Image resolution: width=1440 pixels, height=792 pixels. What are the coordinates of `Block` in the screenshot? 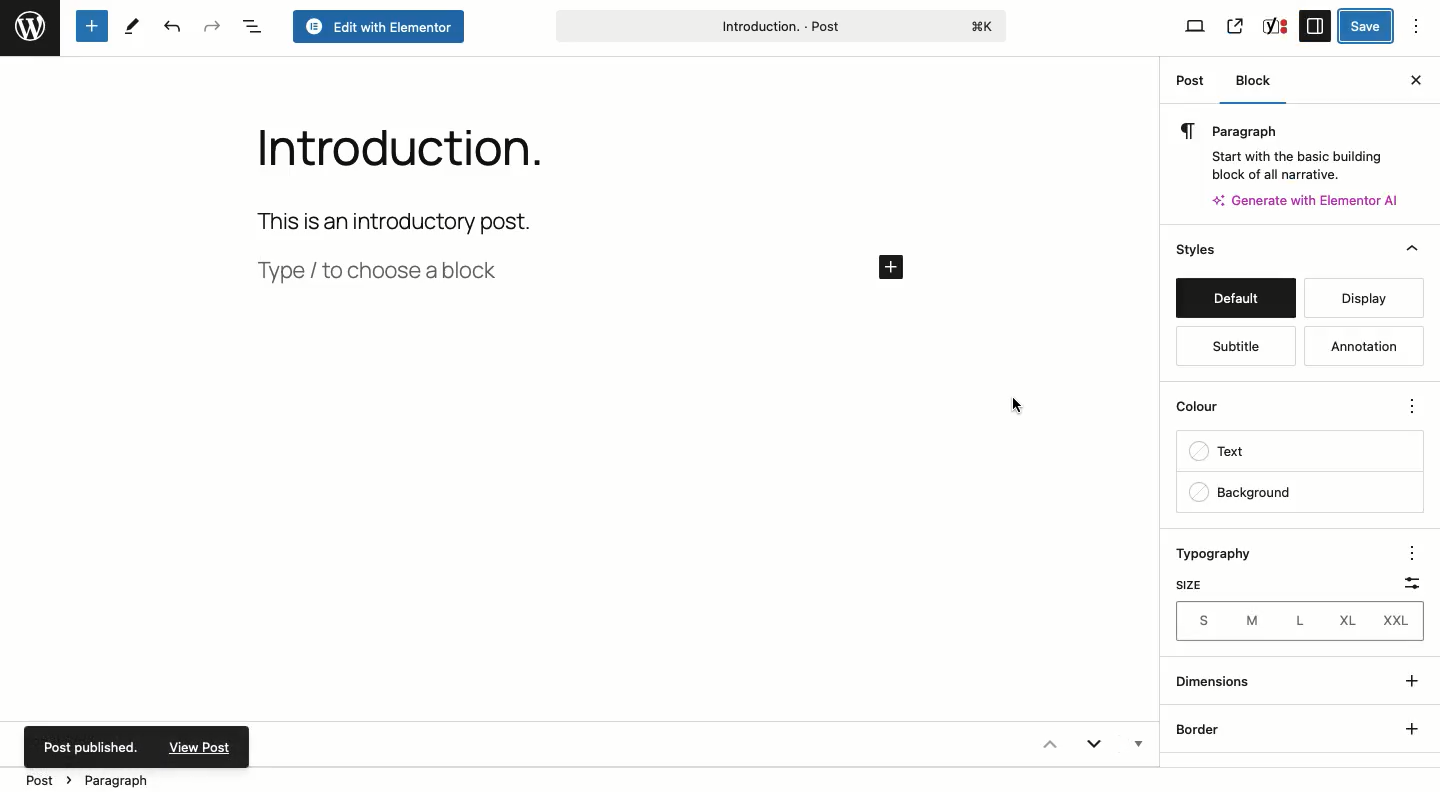 It's located at (1258, 83).